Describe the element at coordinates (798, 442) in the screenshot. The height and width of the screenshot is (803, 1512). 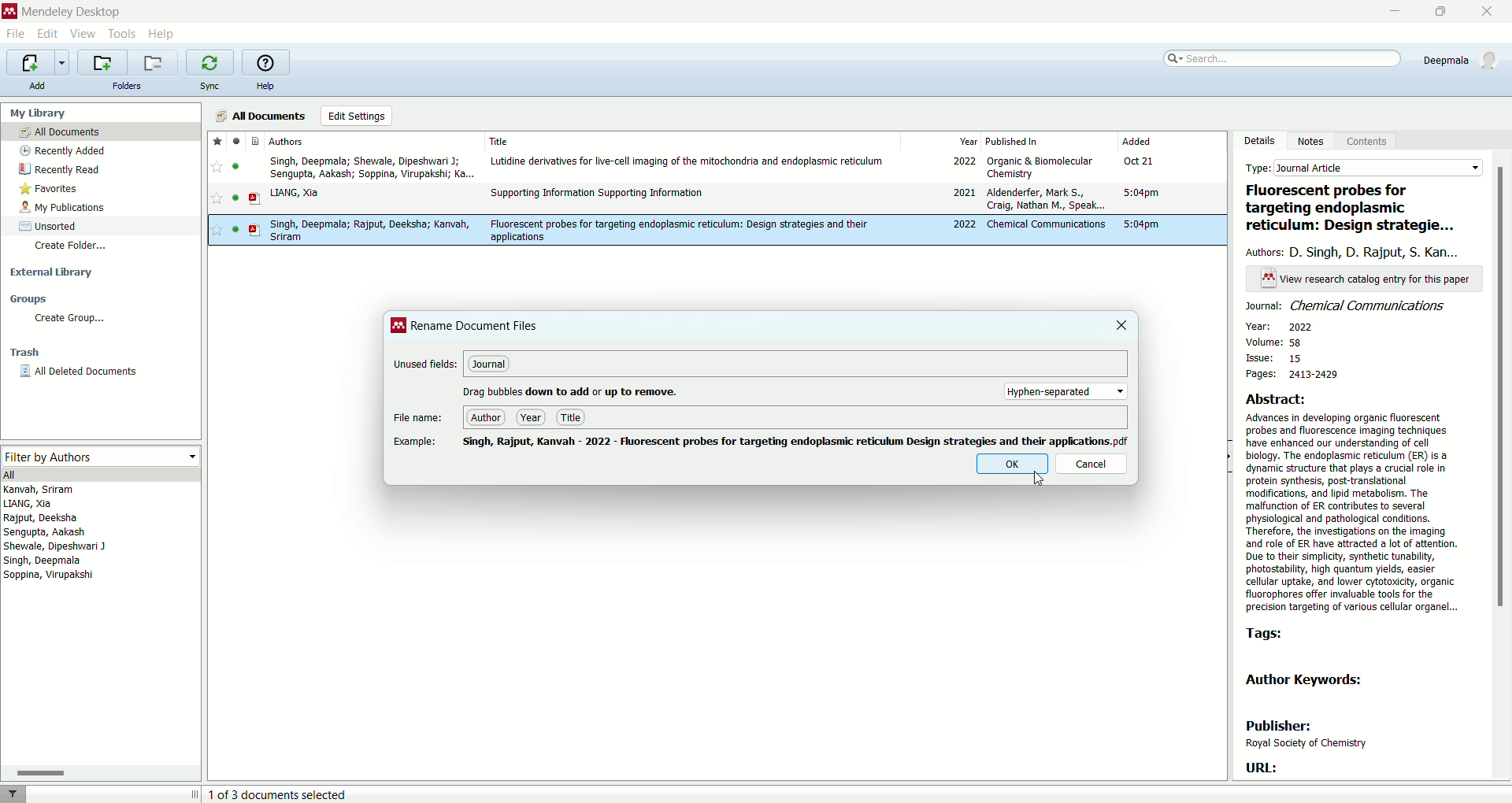
I see `PDF name` at that location.